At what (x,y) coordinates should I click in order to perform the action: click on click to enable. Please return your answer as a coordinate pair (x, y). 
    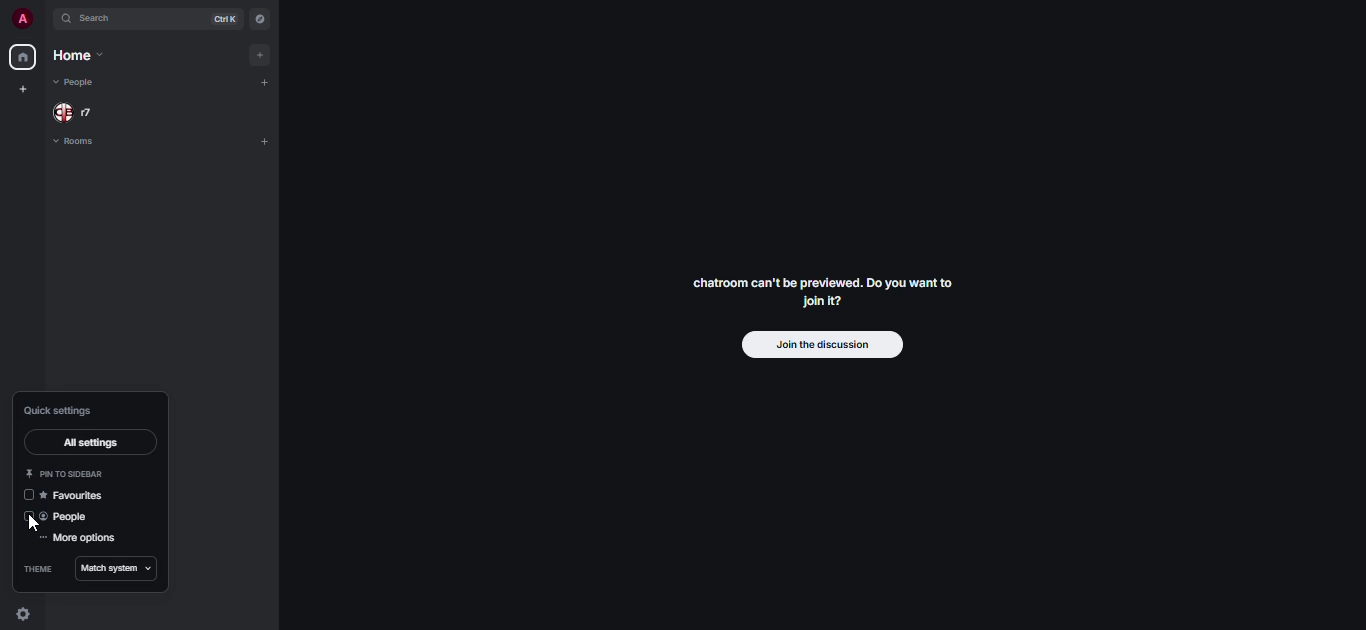
    Looking at the image, I should click on (28, 496).